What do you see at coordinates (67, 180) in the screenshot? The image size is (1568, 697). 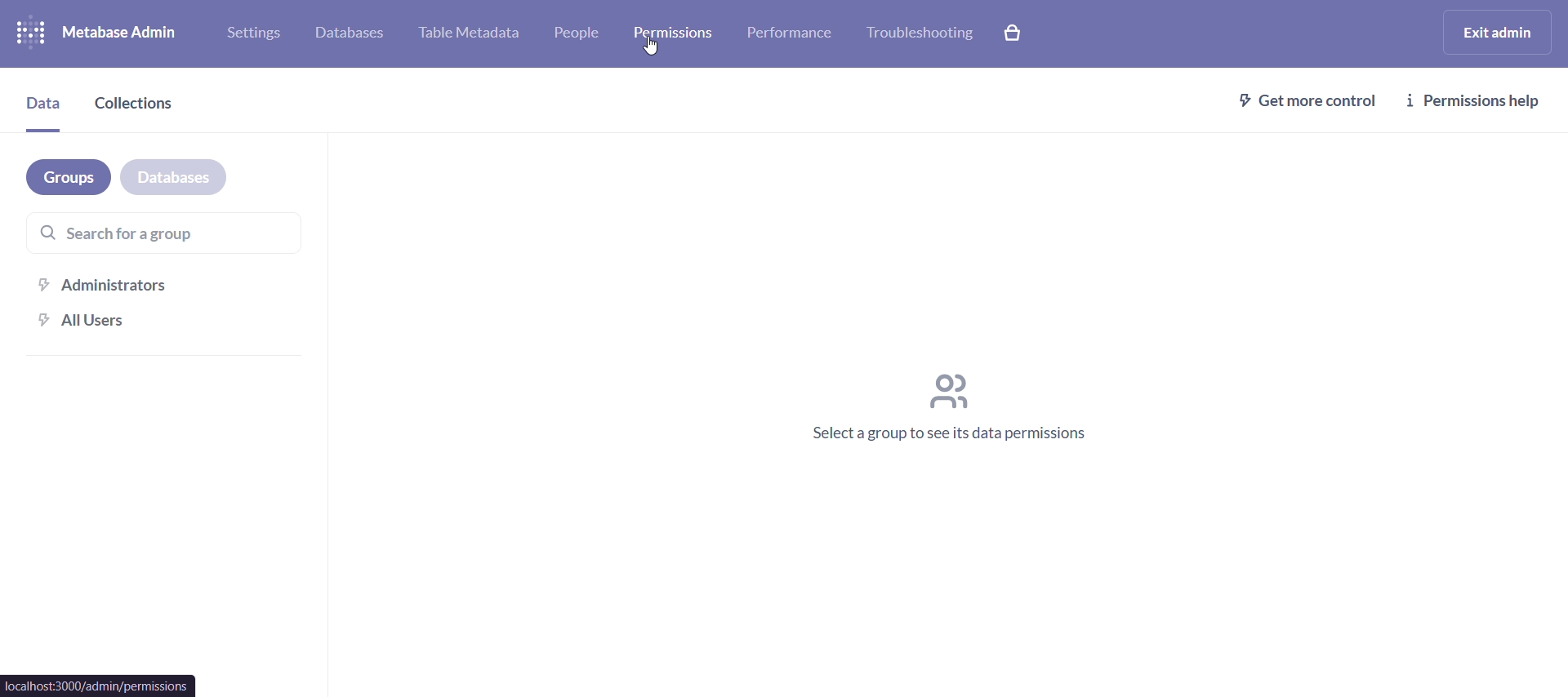 I see `groups` at bounding box center [67, 180].